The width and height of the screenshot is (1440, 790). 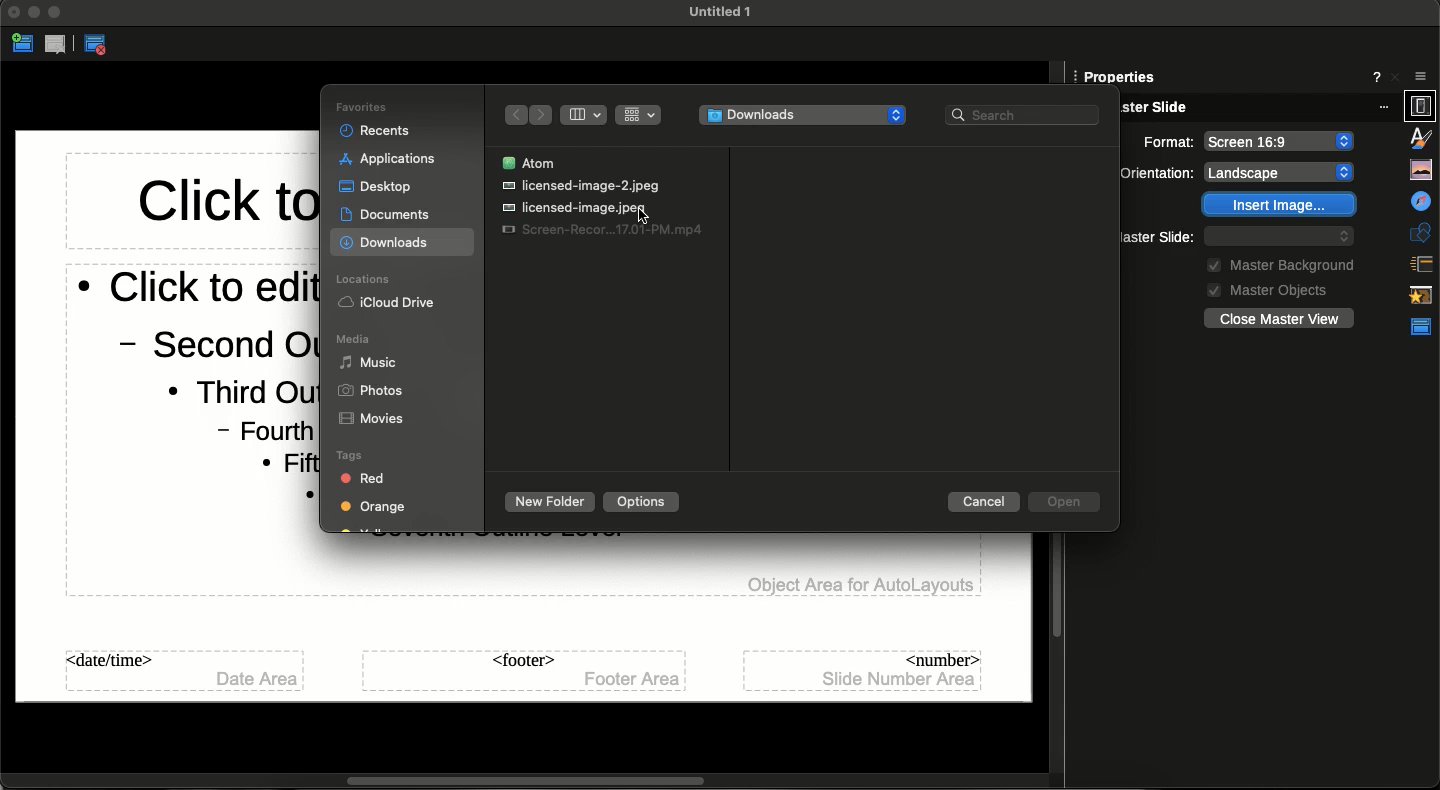 What do you see at coordinates (1422, 328) in the screenshot?
I see `Properties` at bounding box center [1422, 328].